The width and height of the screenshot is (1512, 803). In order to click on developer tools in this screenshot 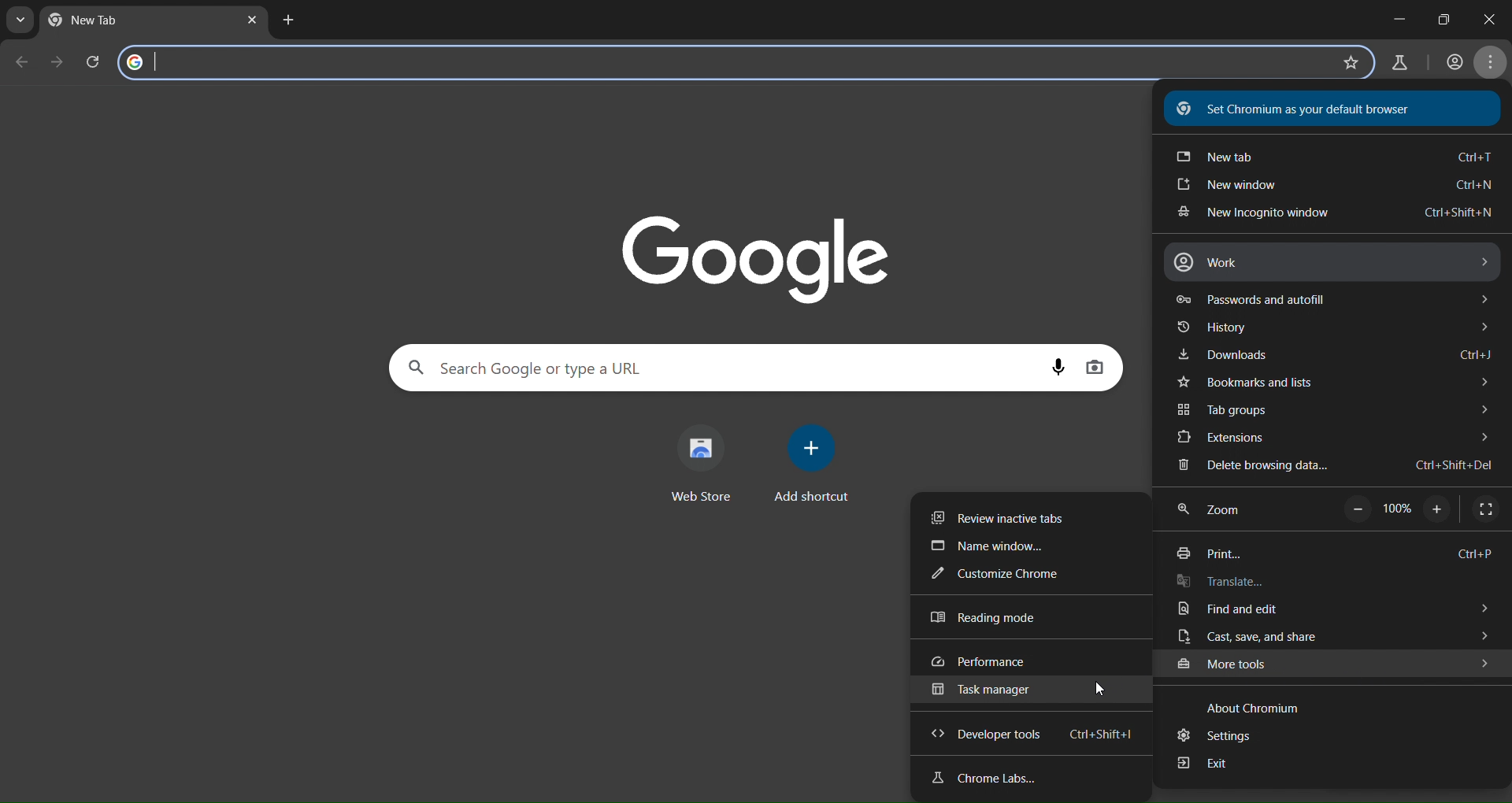, I will do `click(1029, 735)`.